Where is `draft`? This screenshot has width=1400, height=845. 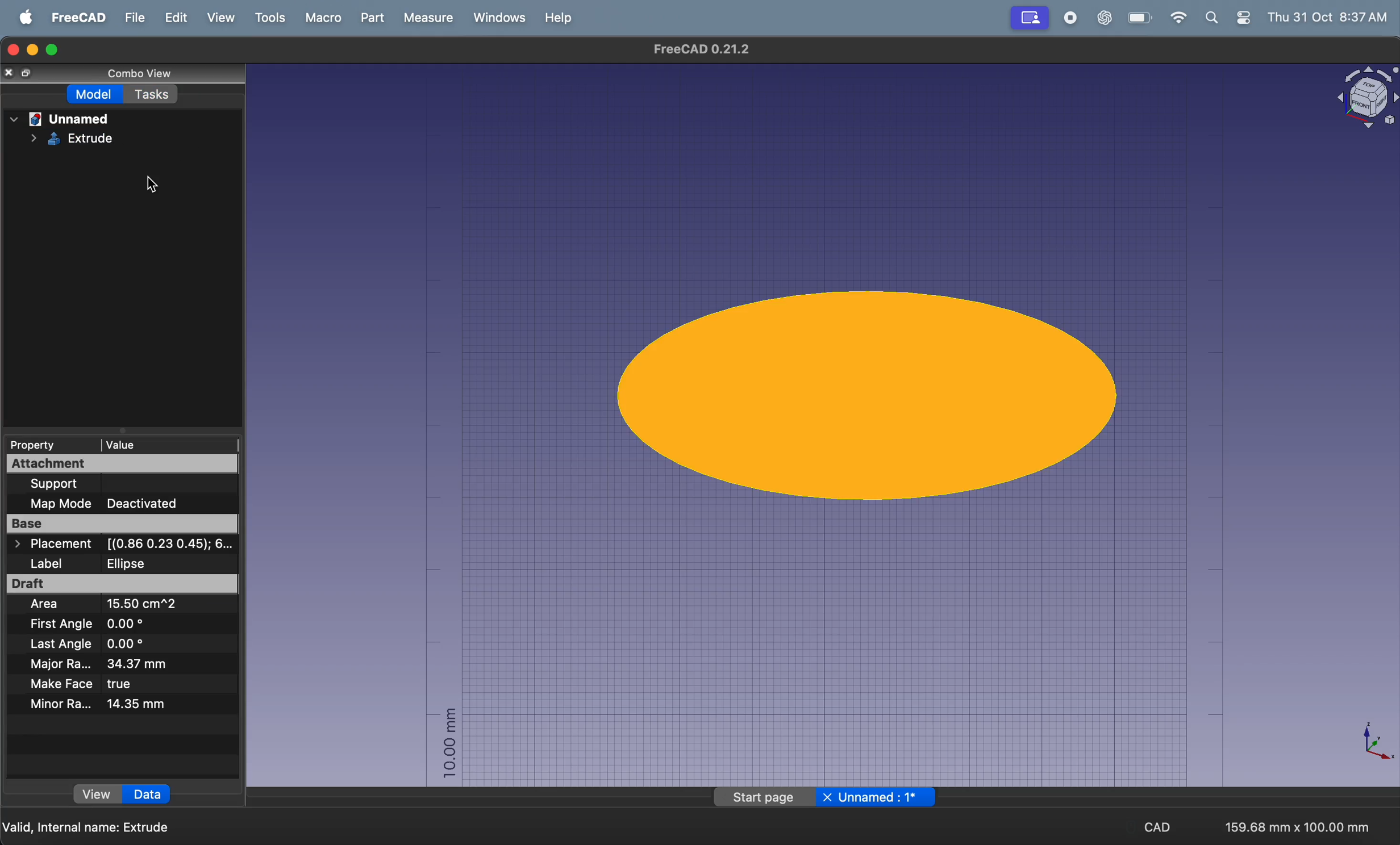 draft is located at coordinates (122, 584).